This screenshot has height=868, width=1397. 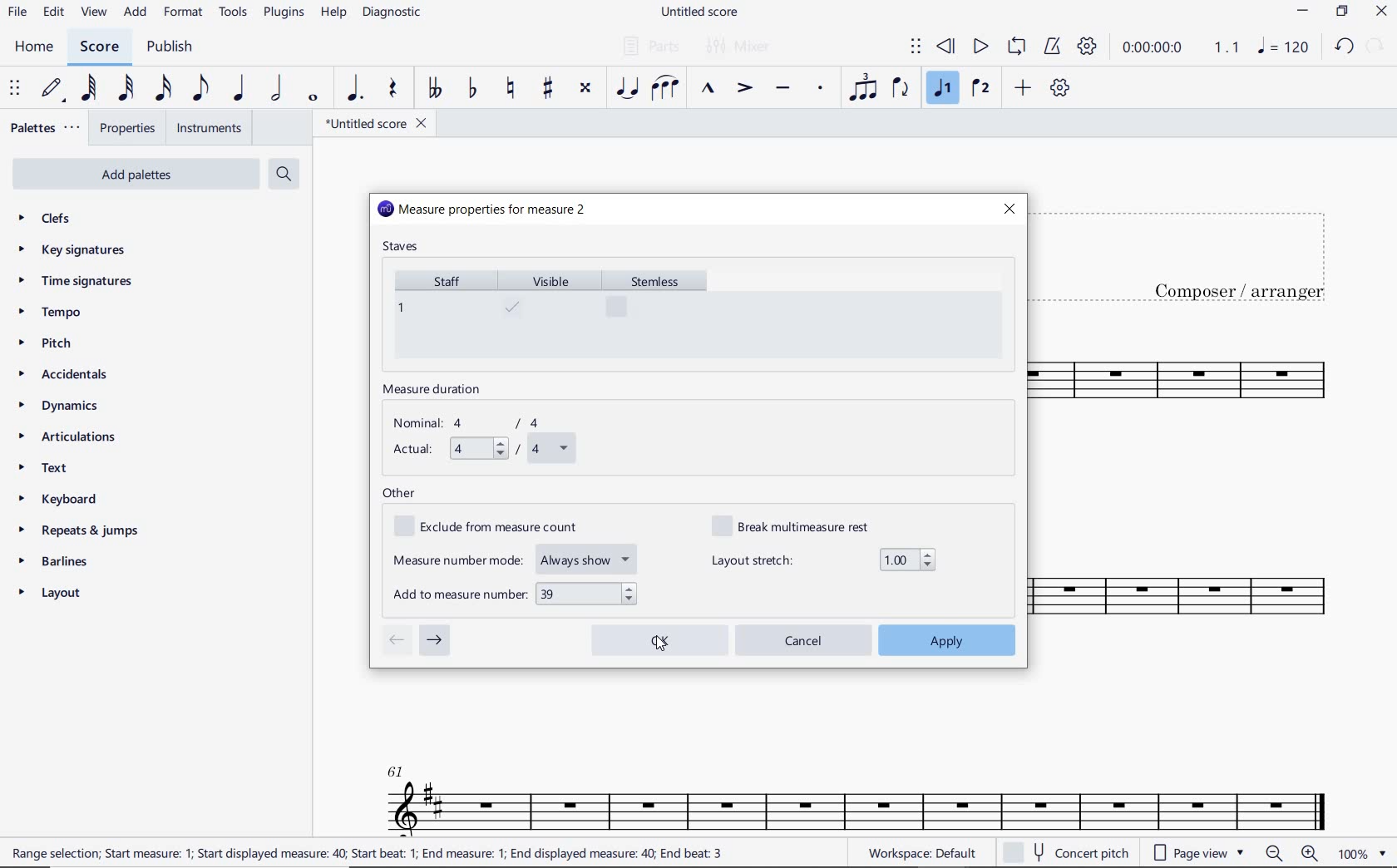 I want to click on VOICE 1, so click(x=941, y=89).